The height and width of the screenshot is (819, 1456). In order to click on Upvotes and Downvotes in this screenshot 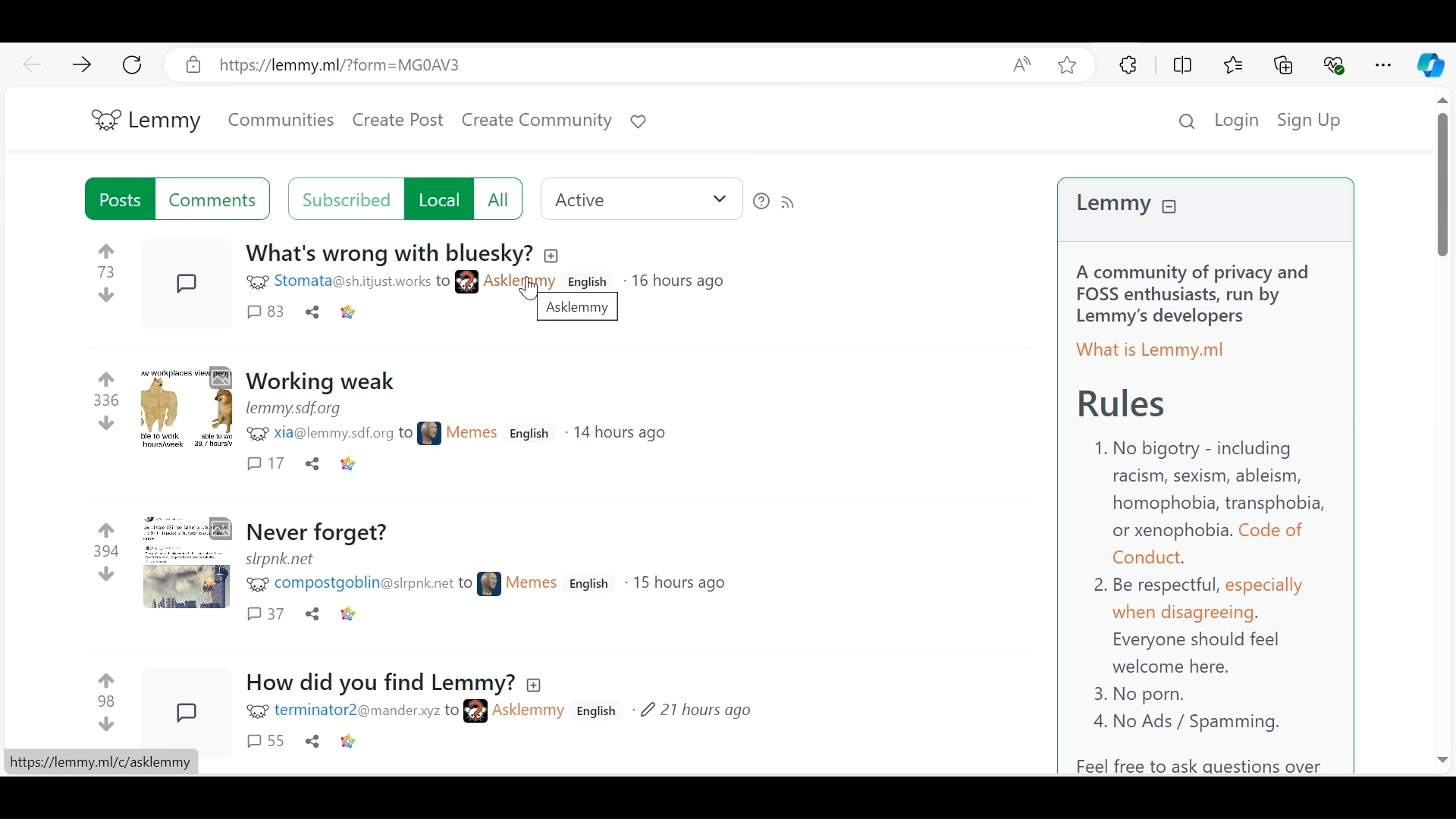, I will do `click(107, 702)`.